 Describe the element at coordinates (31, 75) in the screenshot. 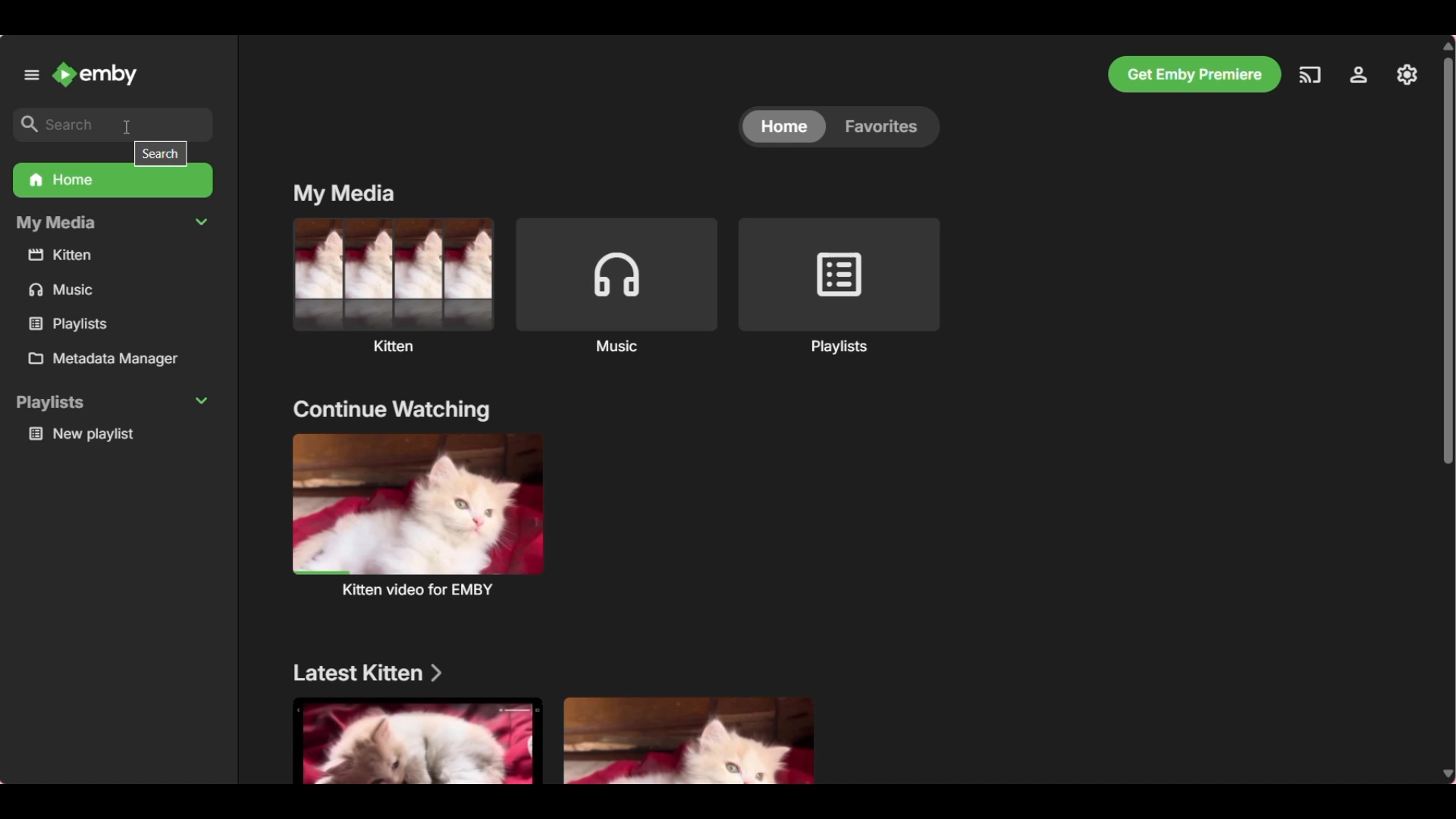

I see `Unpin left panel` at that location.